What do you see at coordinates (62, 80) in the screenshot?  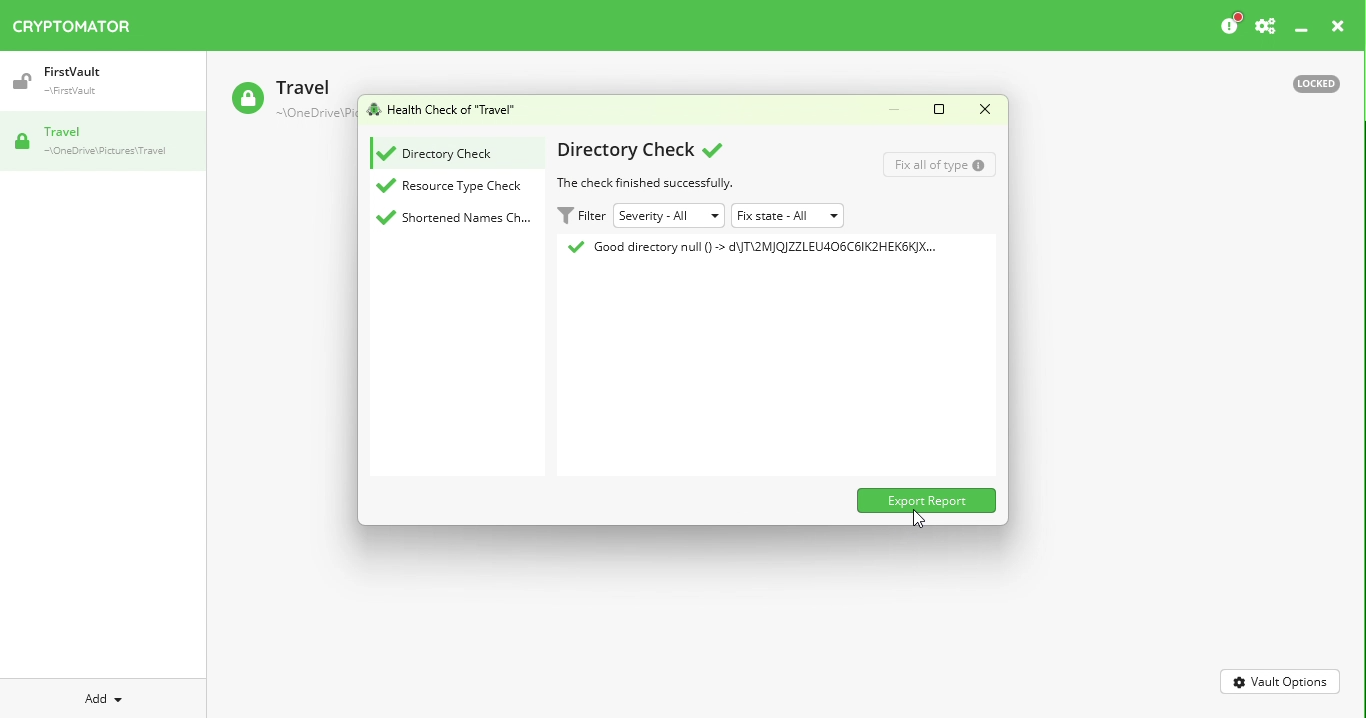 I see `Vault` at bounding box center [62, 80].